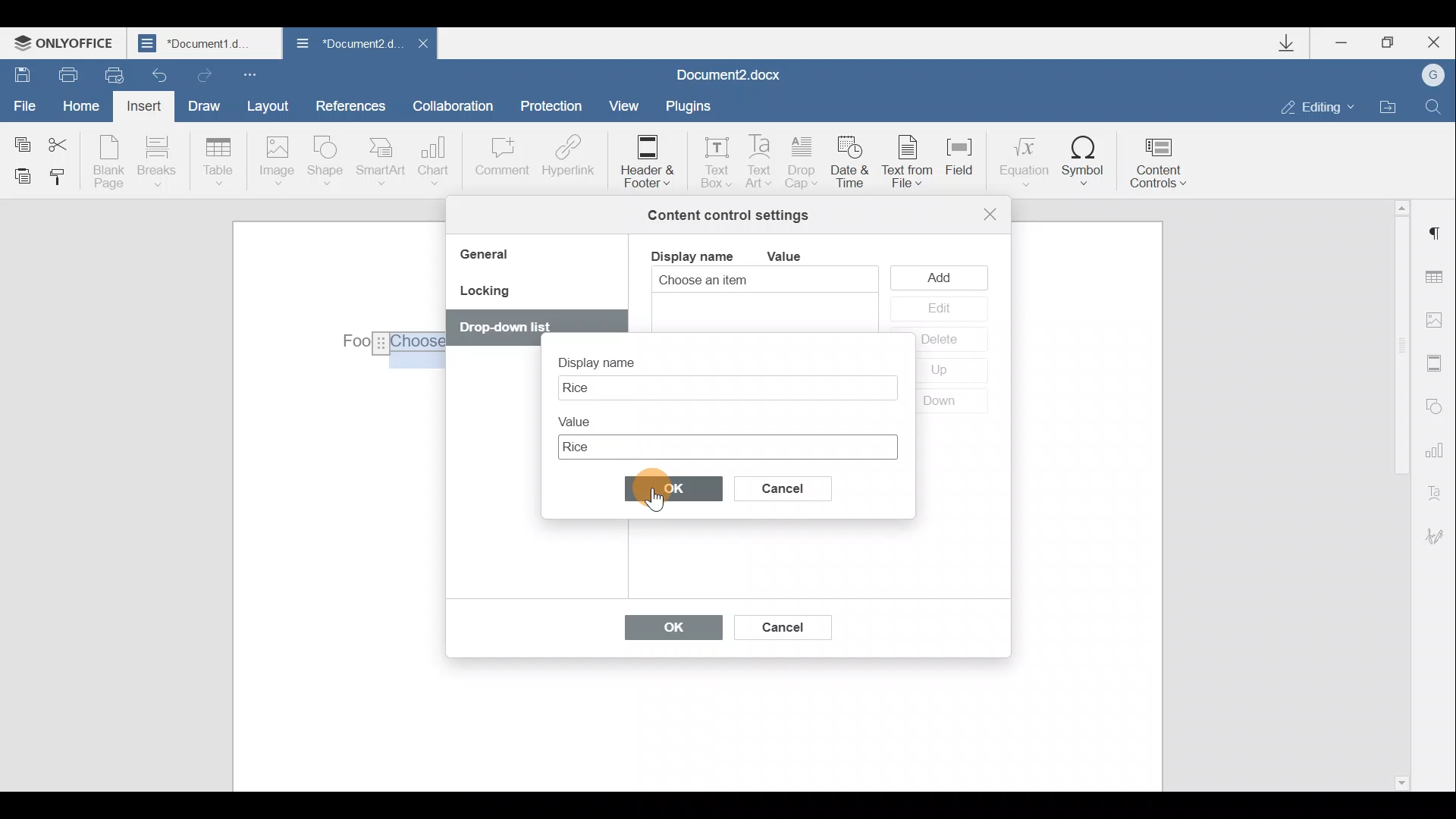 The width and height of the screenshot is (1456, 819). Describe the element at coordinates (555, 108) in the screenshot. I see `Protection` at that location.